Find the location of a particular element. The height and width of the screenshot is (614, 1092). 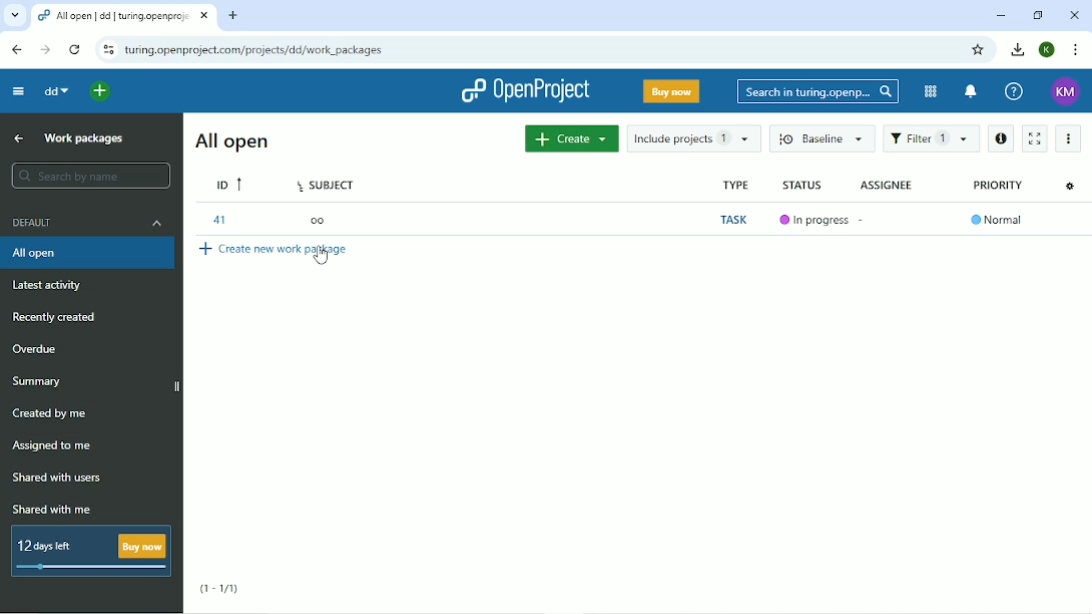

Collapse project menu is located at coordinates (19, 92).